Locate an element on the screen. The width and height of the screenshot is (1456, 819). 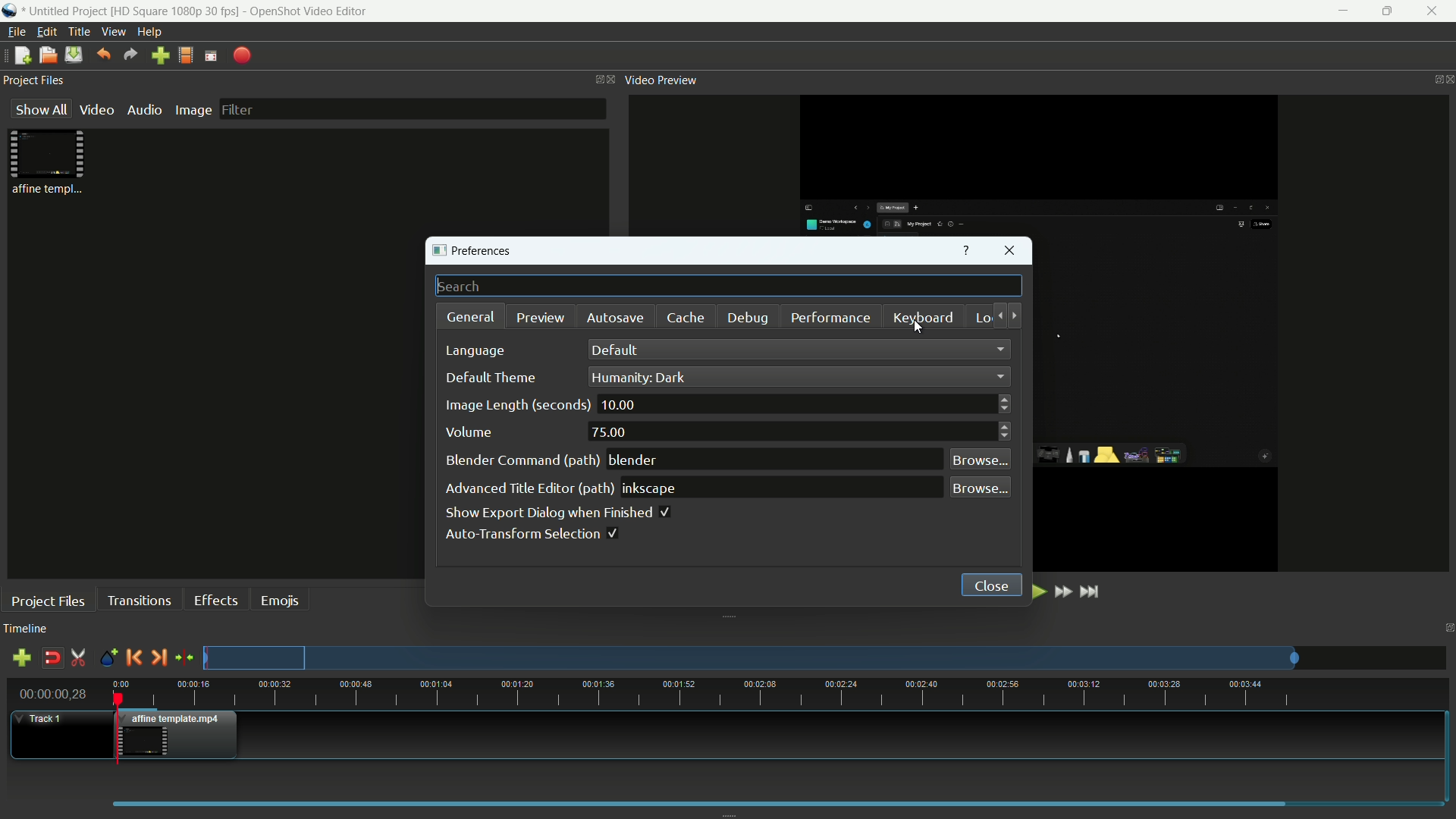
video in timeline is located at coordinates (180, 735).